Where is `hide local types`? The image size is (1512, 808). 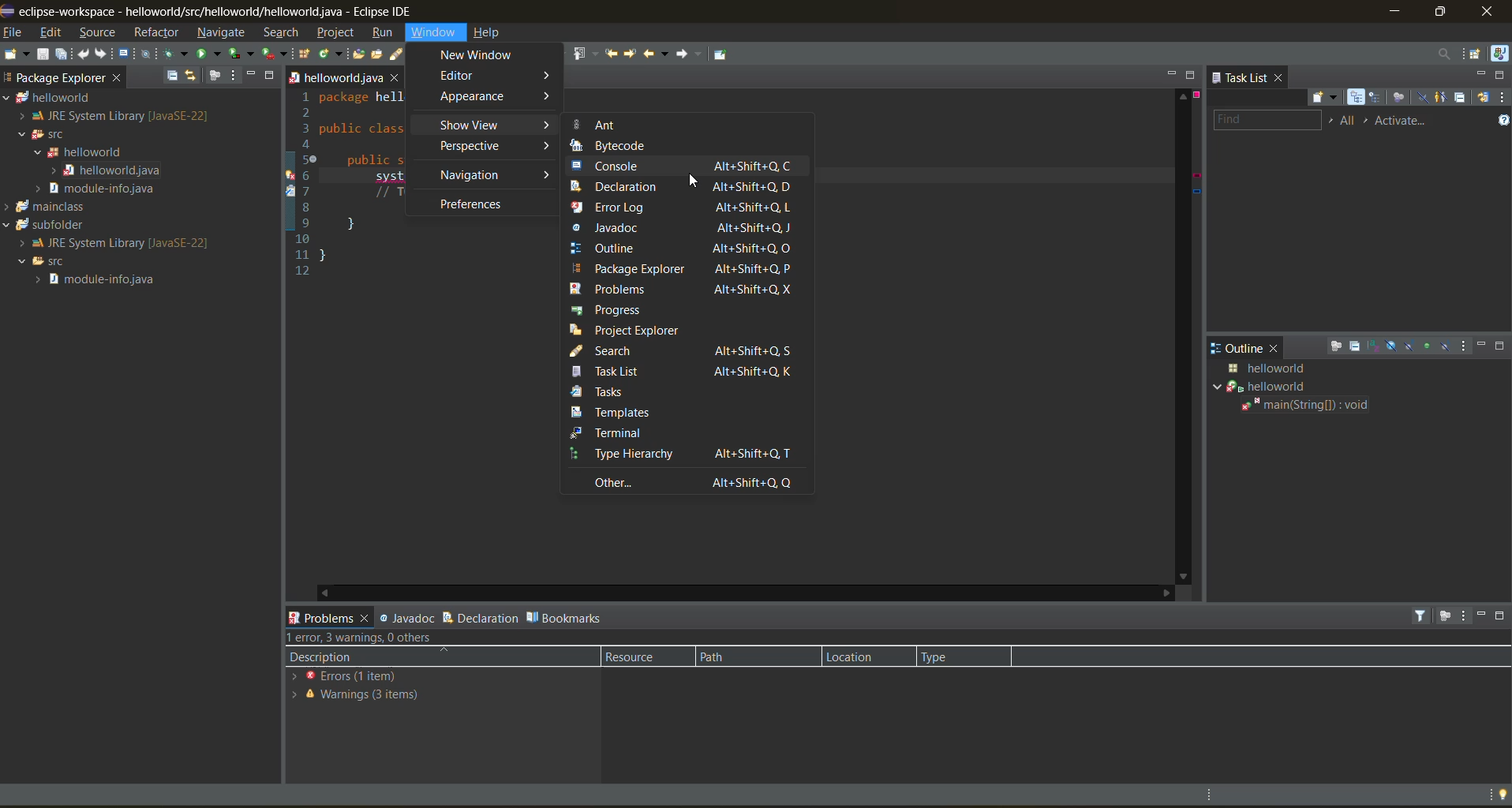 hide local types is located at coordinates (1447, 345).